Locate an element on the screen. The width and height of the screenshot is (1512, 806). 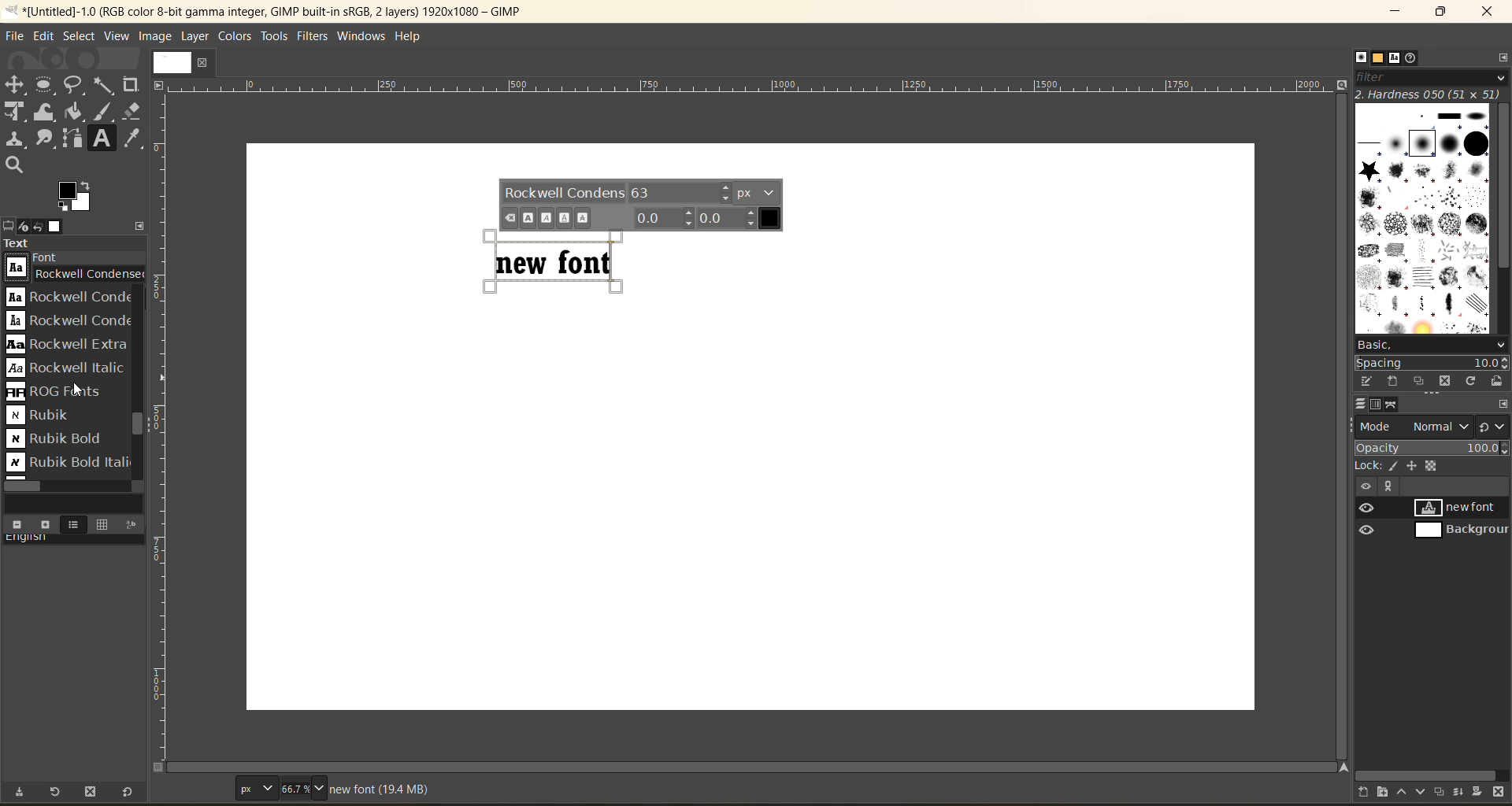
duplicate this brush is located at coordinates (1420, 380).